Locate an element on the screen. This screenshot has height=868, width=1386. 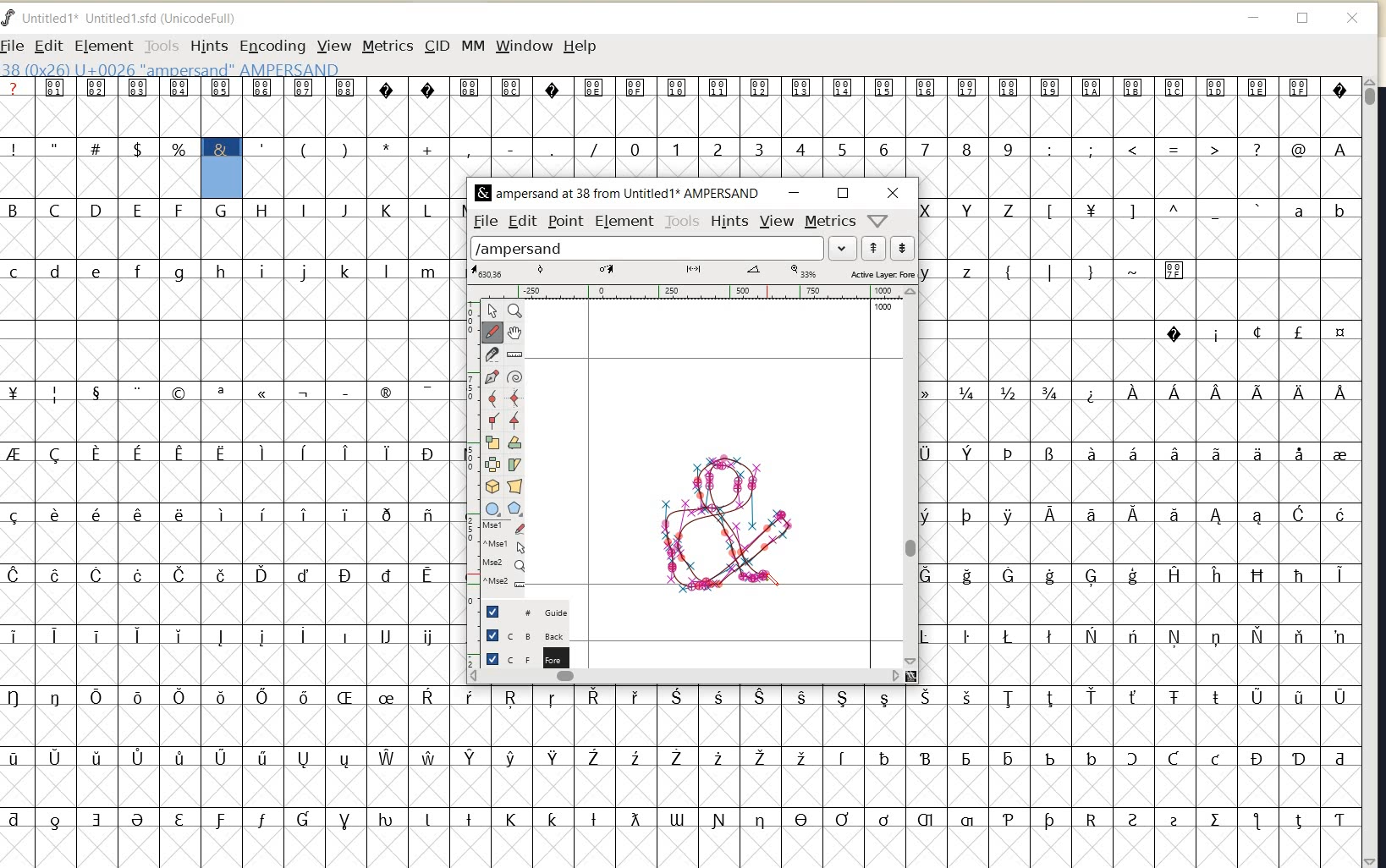
glyph characters is located at coordinates (98, 465).